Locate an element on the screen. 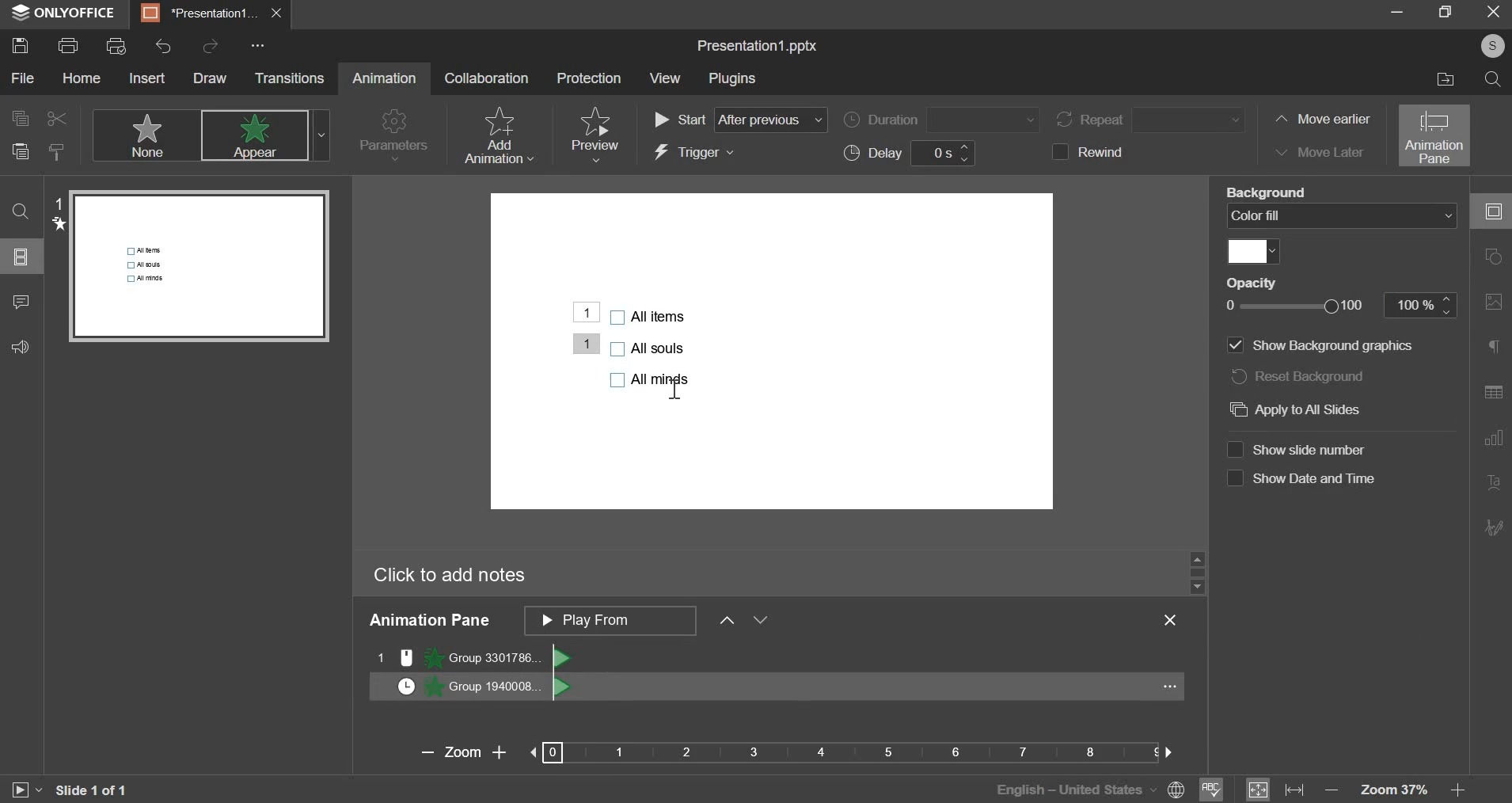 This screenshot has width=1512, height=803. fill color is located at coordinates (1252, 253).